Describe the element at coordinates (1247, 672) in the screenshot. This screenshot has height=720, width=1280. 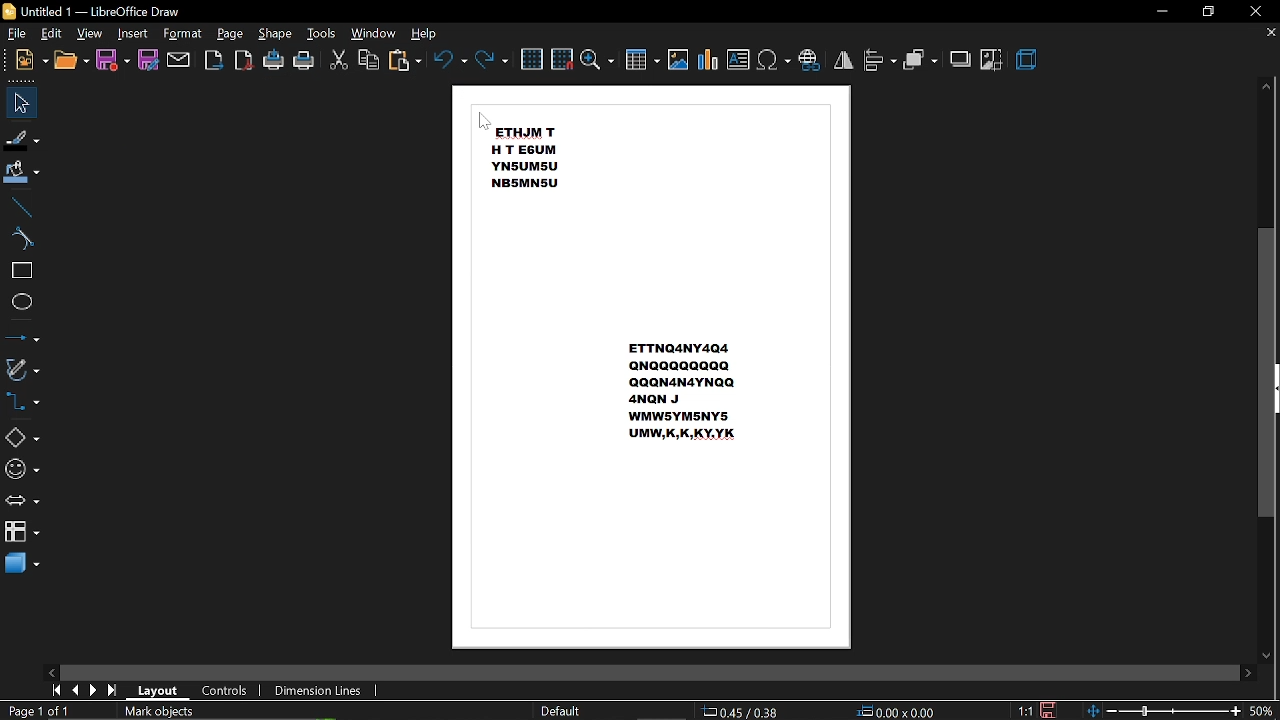
I see `move right` at that location.